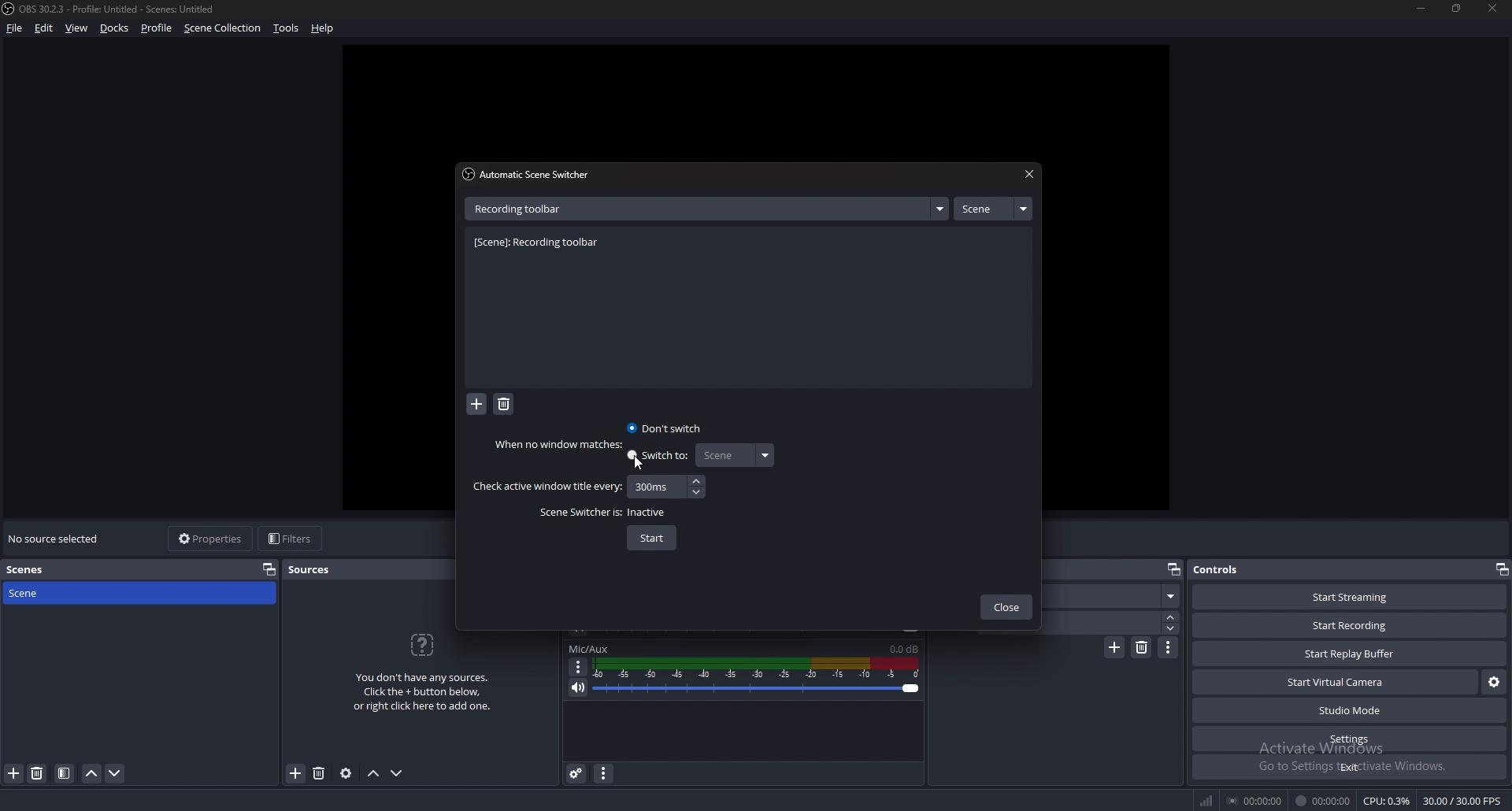  What do you see at coordinates (1114, 647) in the screenshot?
I see `add transition` at bounding box center [1114, 647].